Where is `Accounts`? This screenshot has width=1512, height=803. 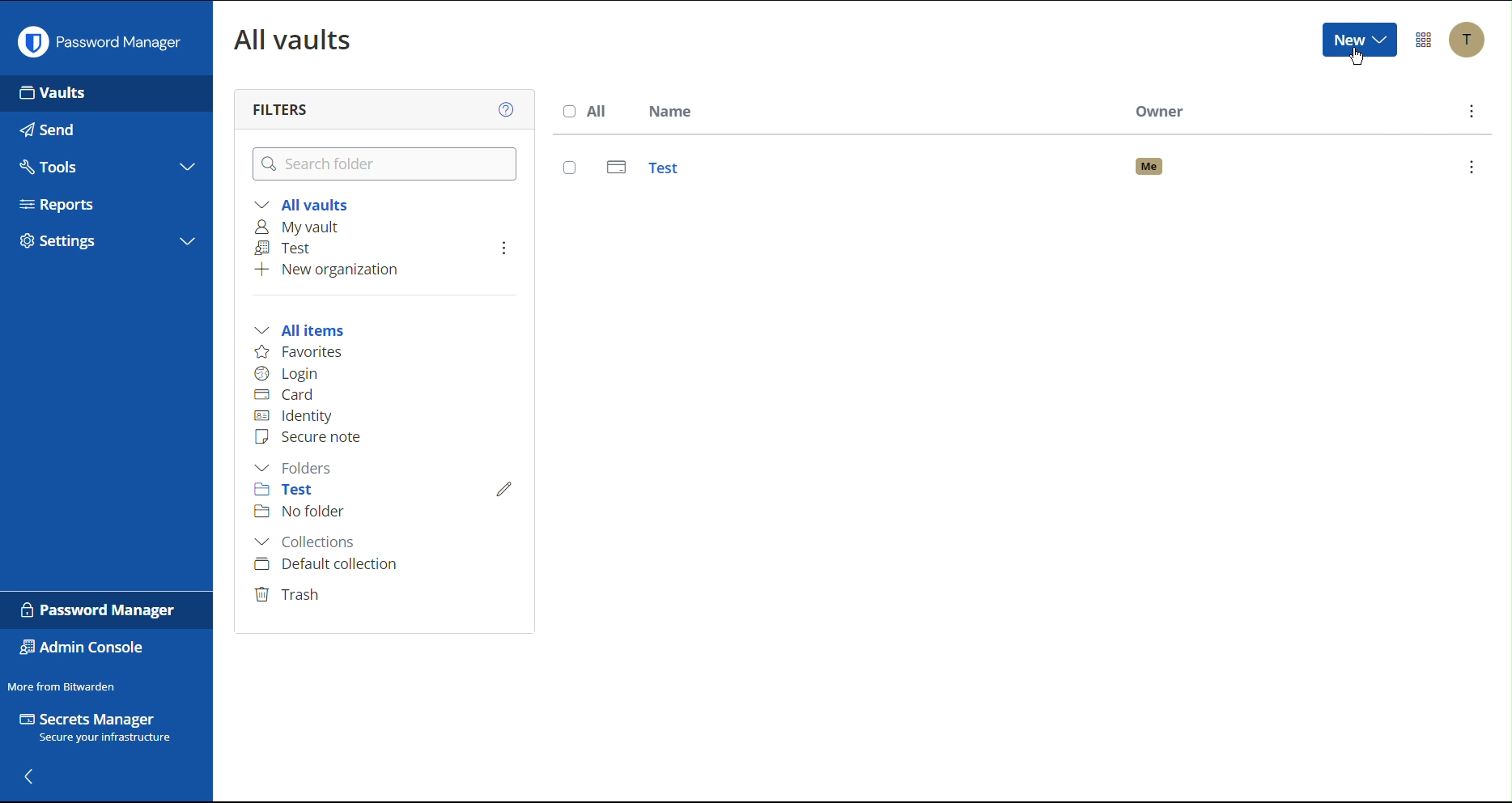 Accounts is located at coordinates (1467, 40).